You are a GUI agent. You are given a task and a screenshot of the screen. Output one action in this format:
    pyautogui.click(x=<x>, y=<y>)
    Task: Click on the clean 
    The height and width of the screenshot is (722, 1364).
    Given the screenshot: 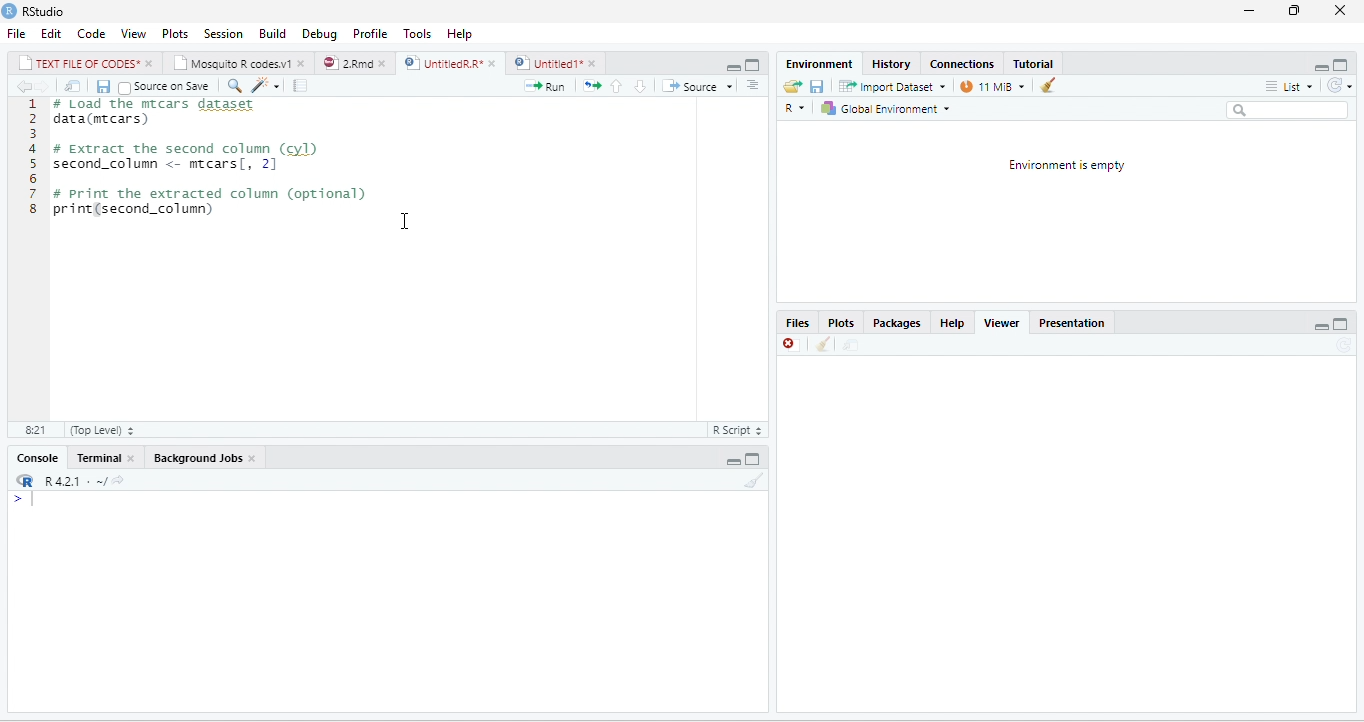 What is the action you would take?
    pyautogui.click(x=823, y=346)
    